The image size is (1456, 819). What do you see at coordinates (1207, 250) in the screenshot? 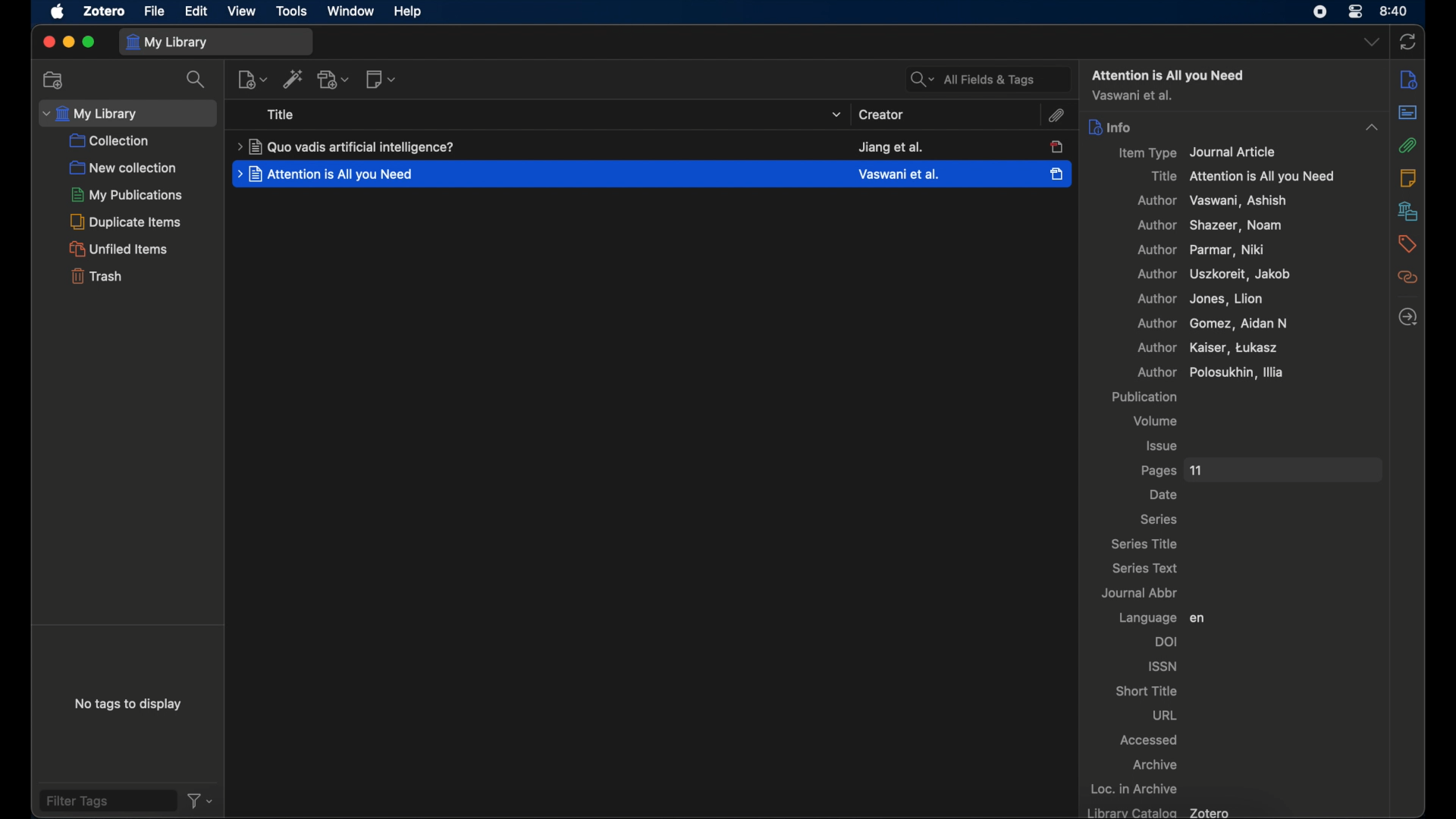
I see `author parma, niki` at bounding box center [1207, 250].